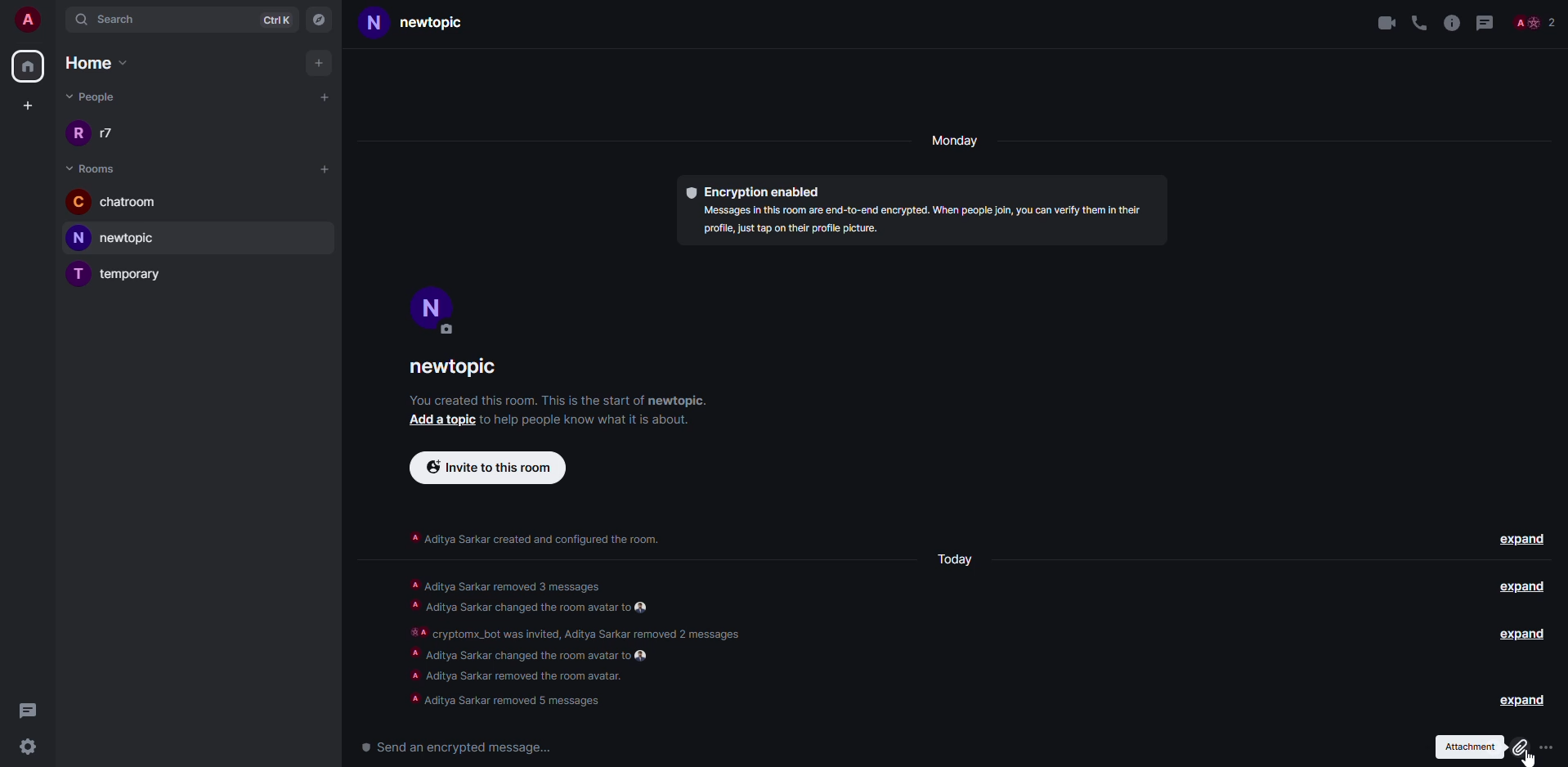  I want to click on add, so click(318, 61).